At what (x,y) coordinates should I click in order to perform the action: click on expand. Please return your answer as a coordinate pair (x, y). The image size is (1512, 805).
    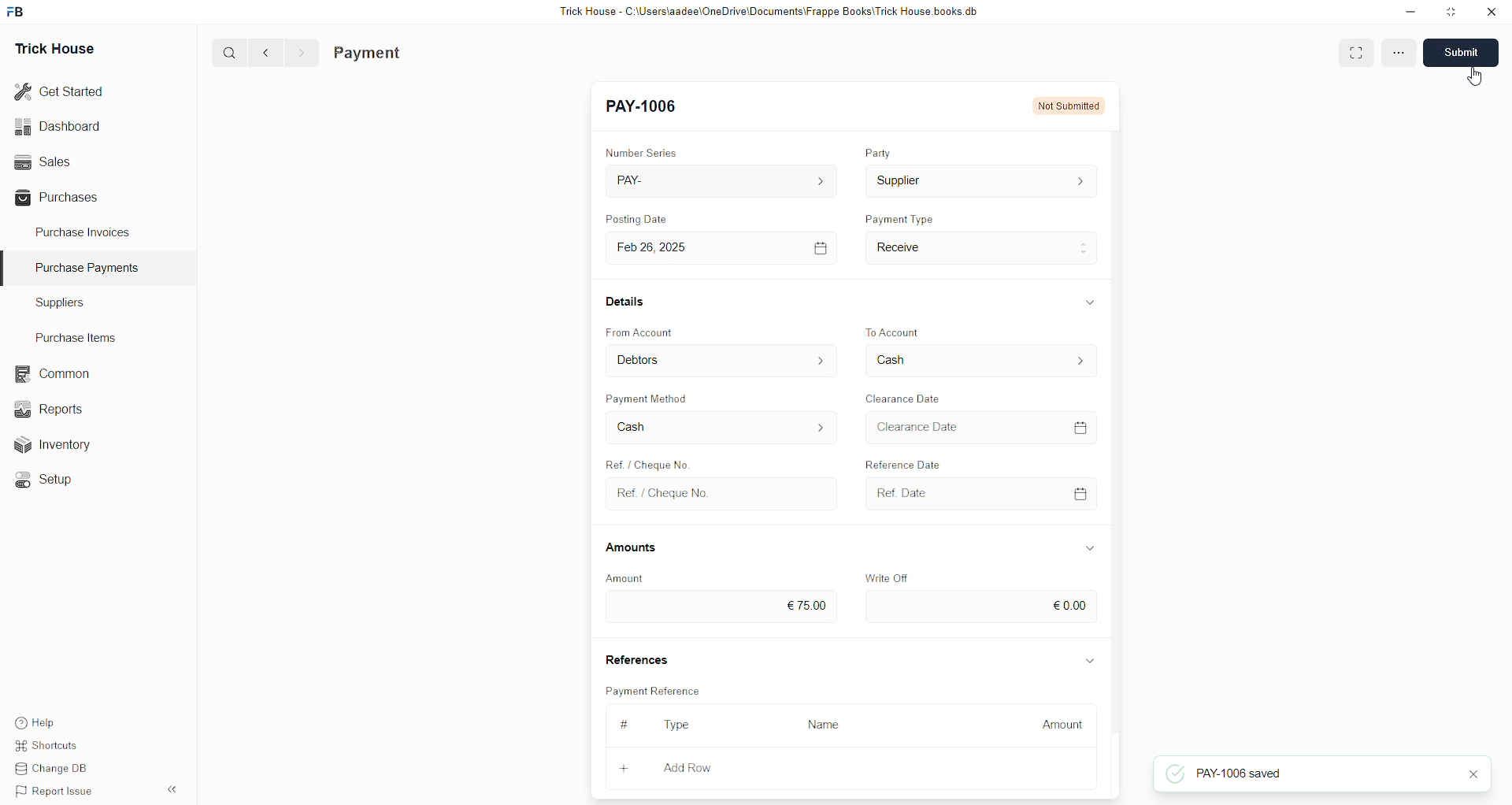
    Looking at the image, I should click on (1091, 546).